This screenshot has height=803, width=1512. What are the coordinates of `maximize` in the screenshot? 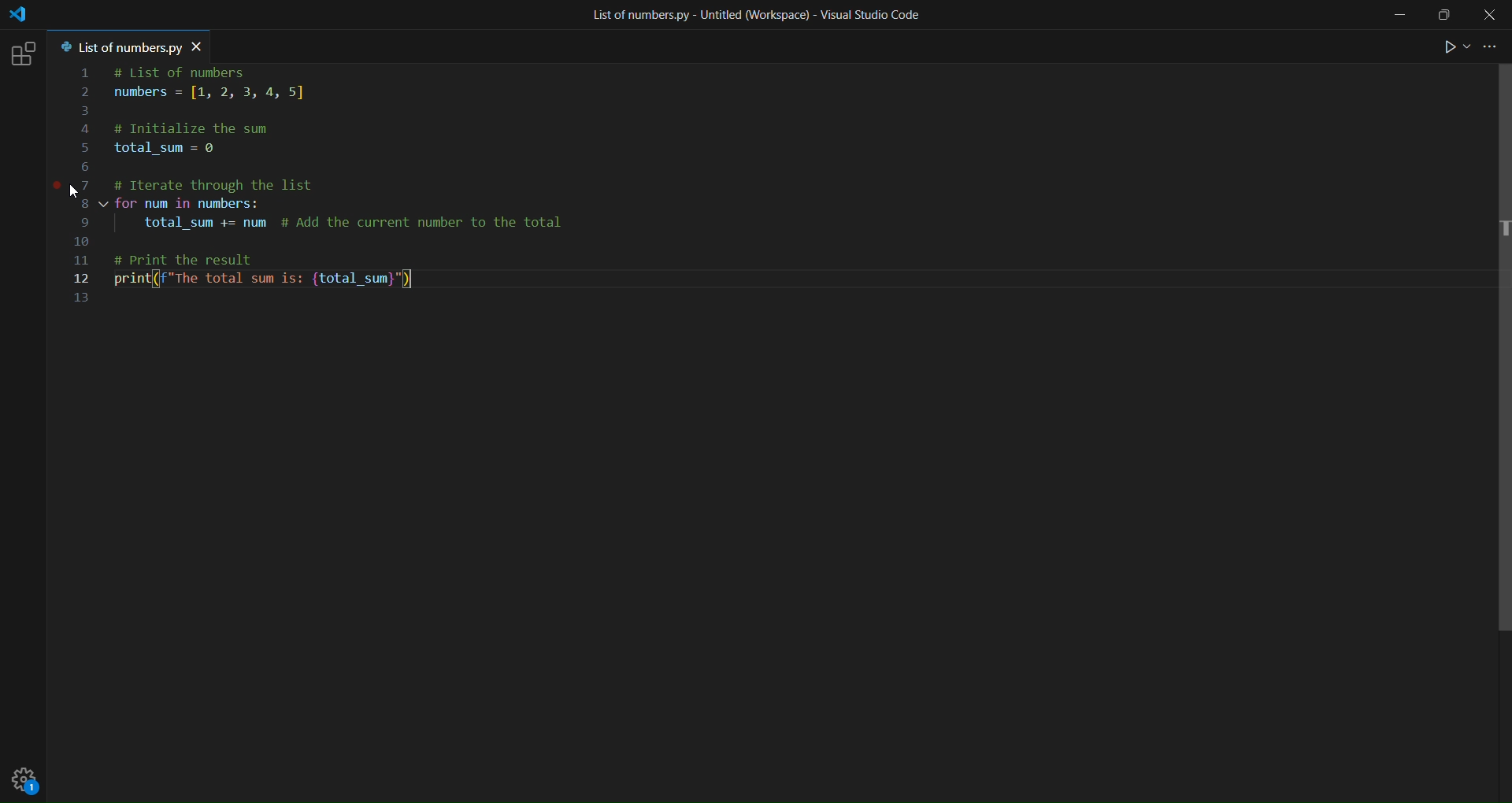 It's located at (1441, 18).